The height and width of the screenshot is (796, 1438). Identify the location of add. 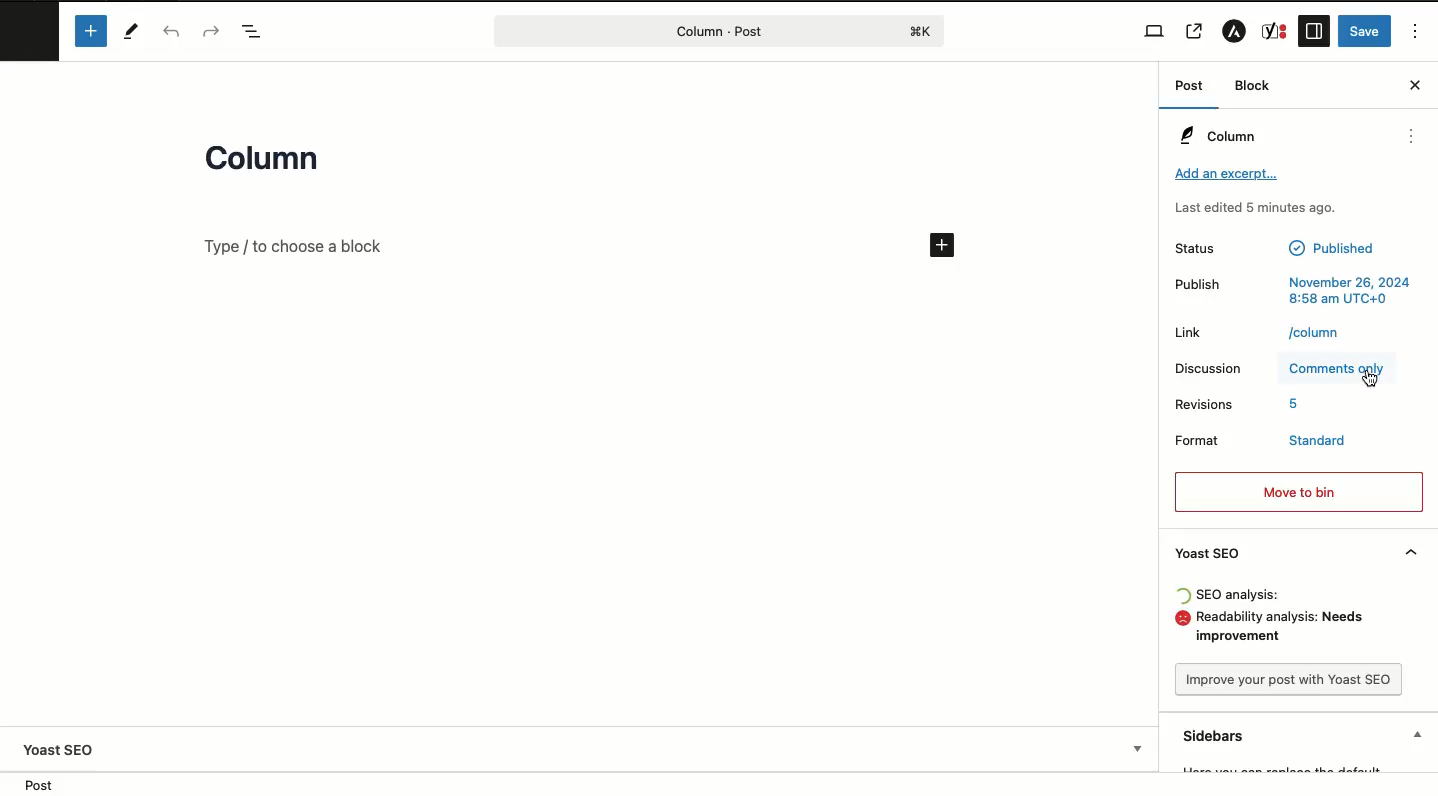
(944, 245).